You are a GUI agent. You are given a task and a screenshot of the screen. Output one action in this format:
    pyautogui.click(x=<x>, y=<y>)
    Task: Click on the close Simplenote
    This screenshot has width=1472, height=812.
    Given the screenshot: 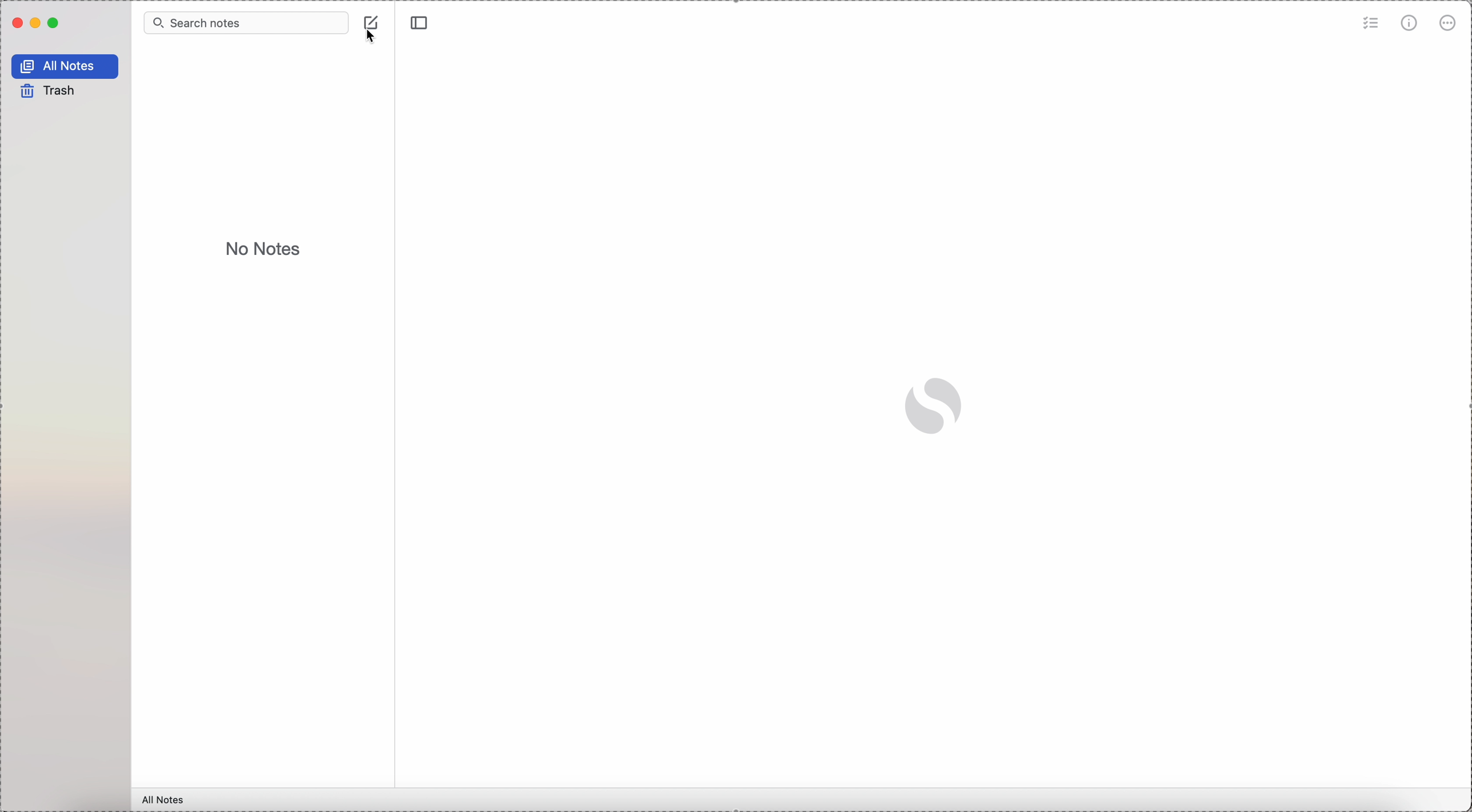 What is the action you would take?
    pyautogui.click(x=17, y=25)
    